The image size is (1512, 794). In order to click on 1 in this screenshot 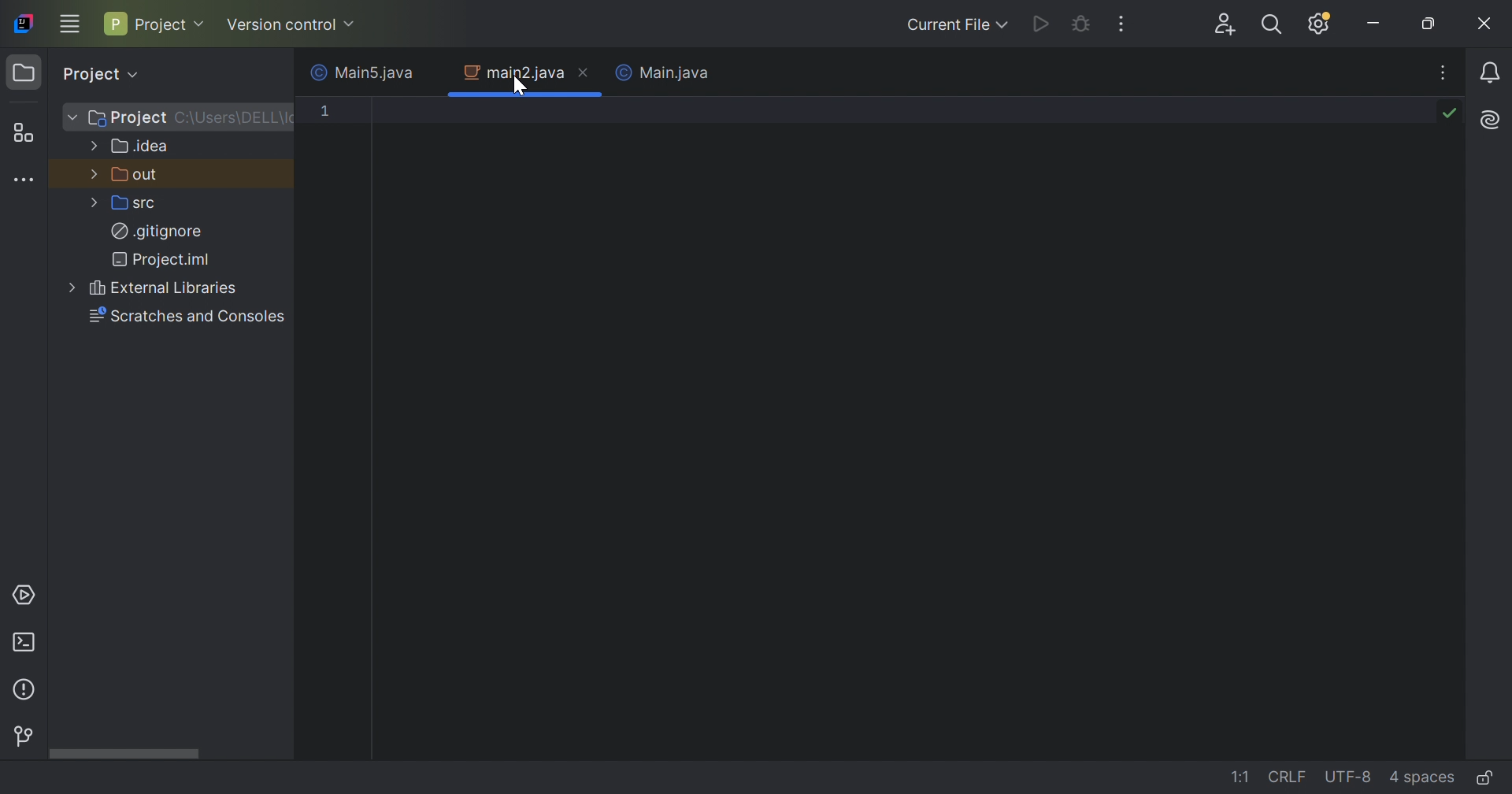, I will do `click(325, 113)`.